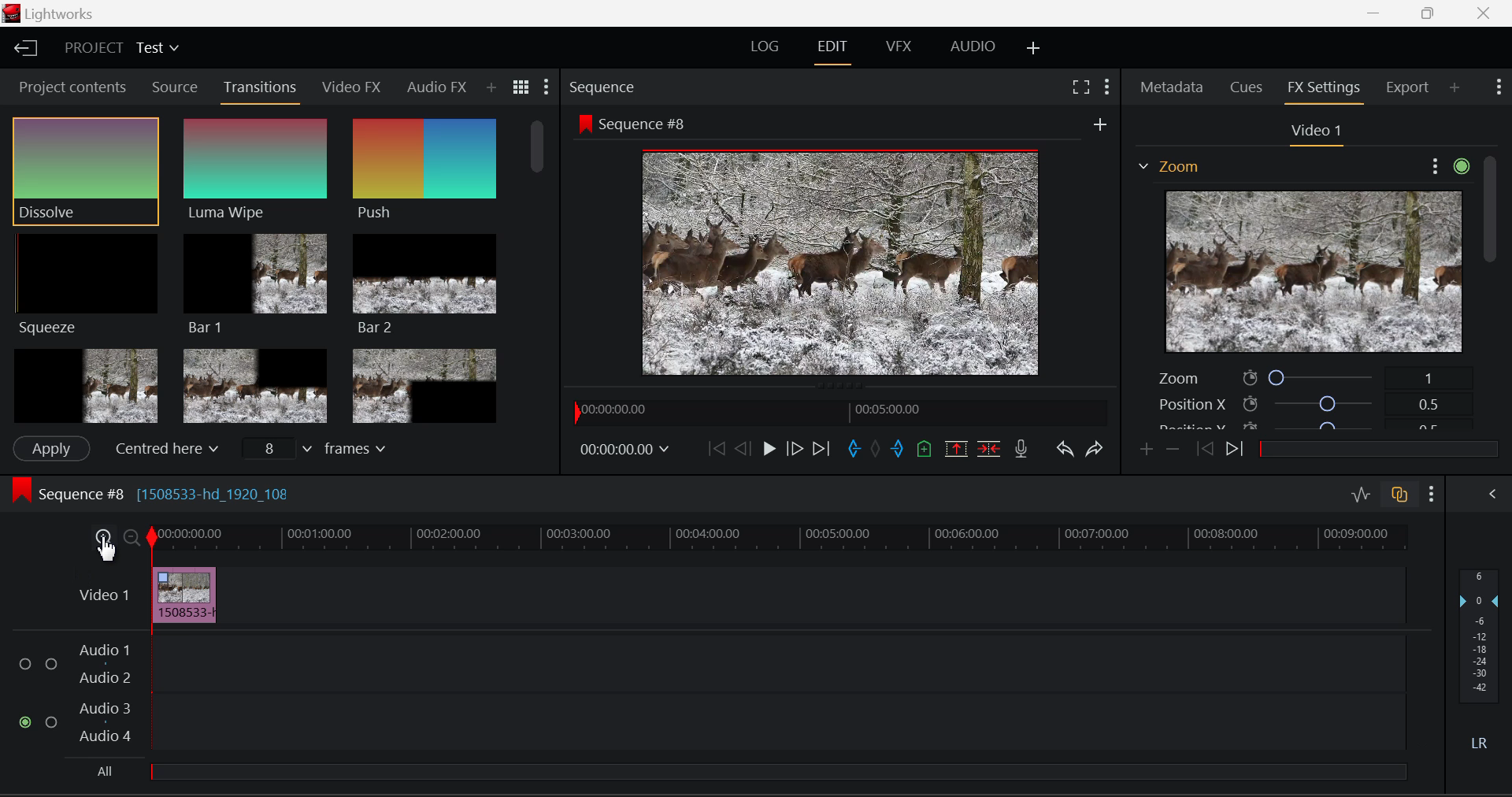 This screenshot has height=797, width=1512. What do you see at coordinates (1490, 295) in the screenshot?
I see `Scroll Bar` at bounding box center [1490, 295].